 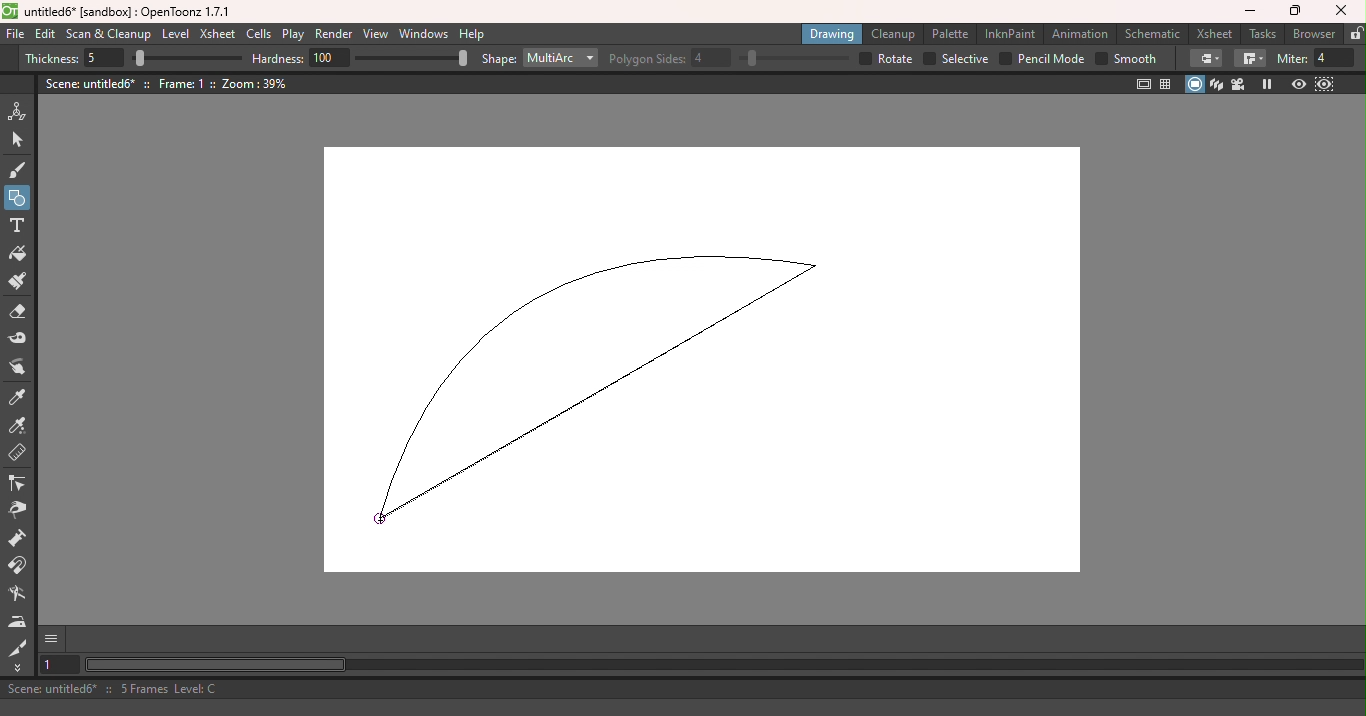 I want to click on Ruler tool, so click(x=16, y=453).